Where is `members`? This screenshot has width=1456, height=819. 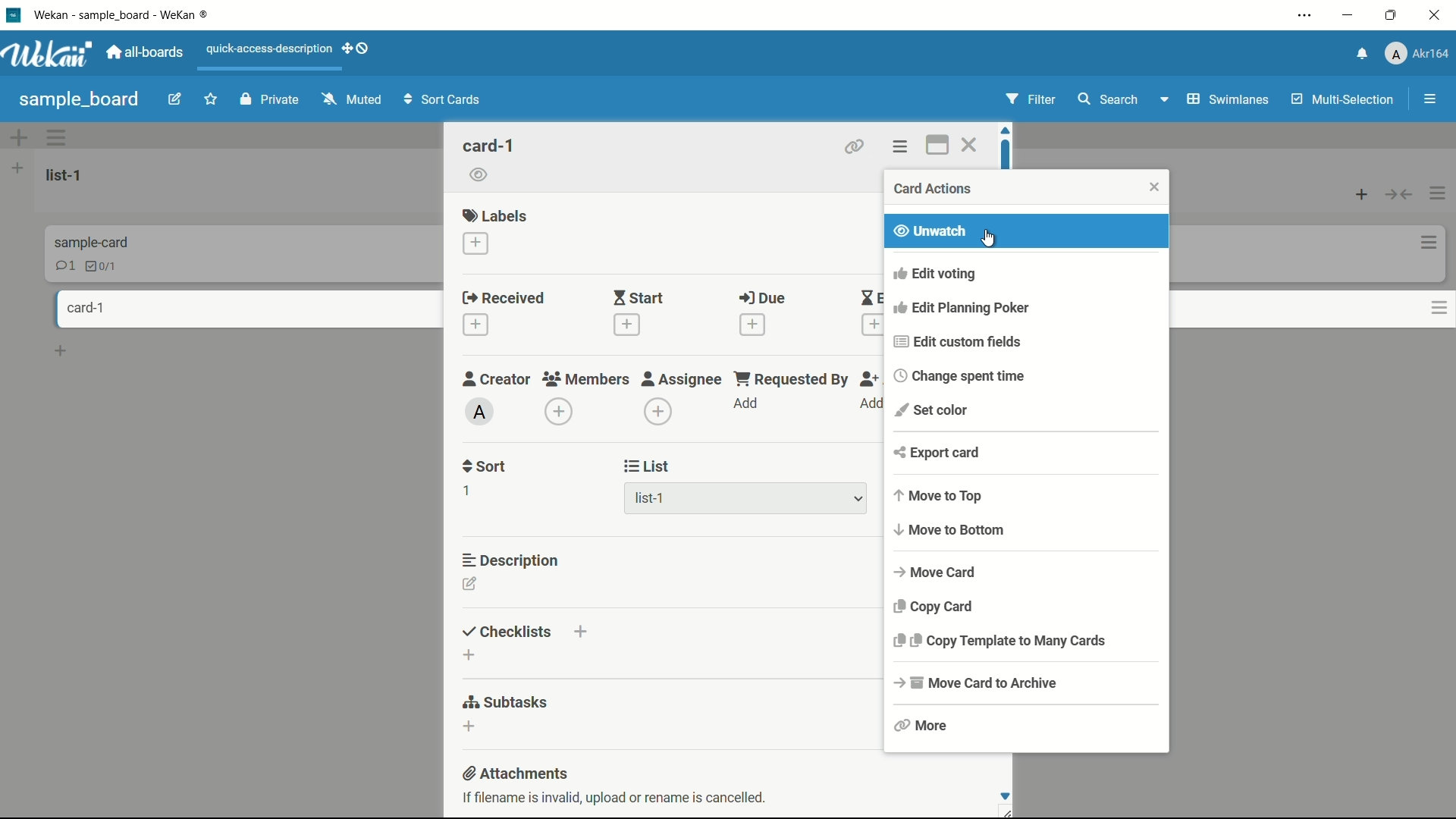
members is located at coordinates (585, 380).